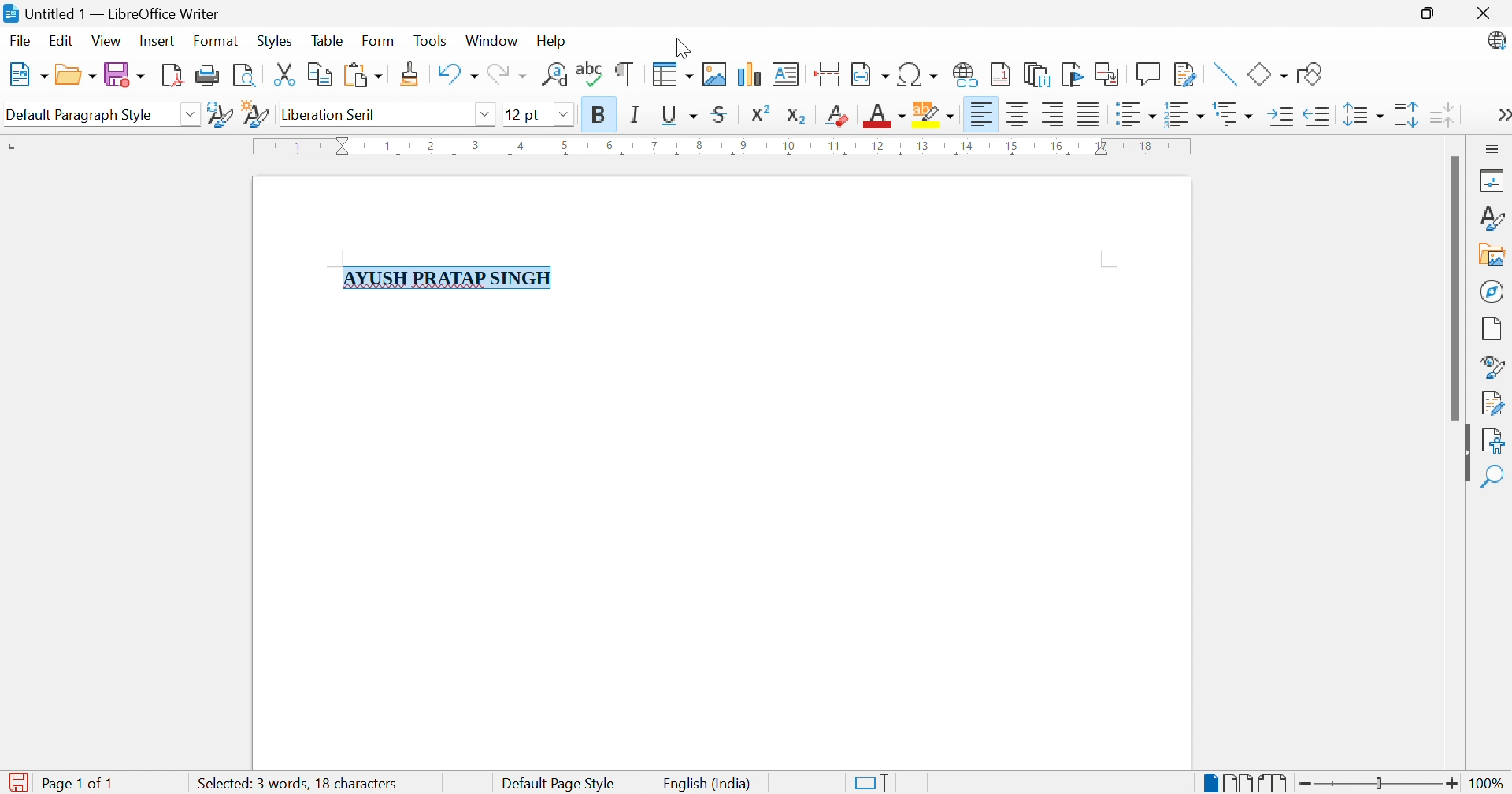 This screenshot has width=1512, height=794. I want to click on Cut, so click(285, 74).